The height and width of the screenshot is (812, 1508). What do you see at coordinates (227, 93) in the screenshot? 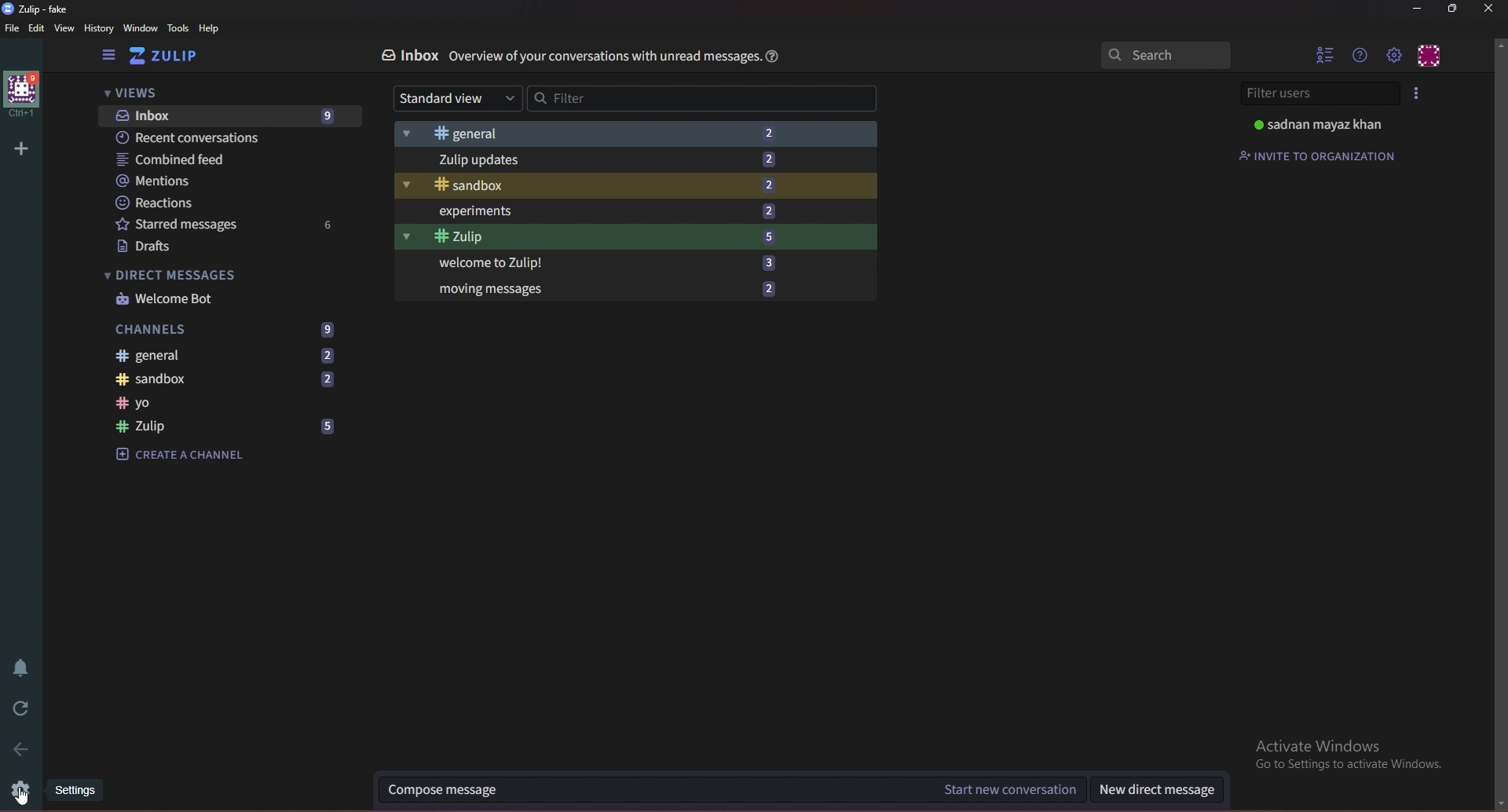
I see `views` at bounding box center [227, 93].